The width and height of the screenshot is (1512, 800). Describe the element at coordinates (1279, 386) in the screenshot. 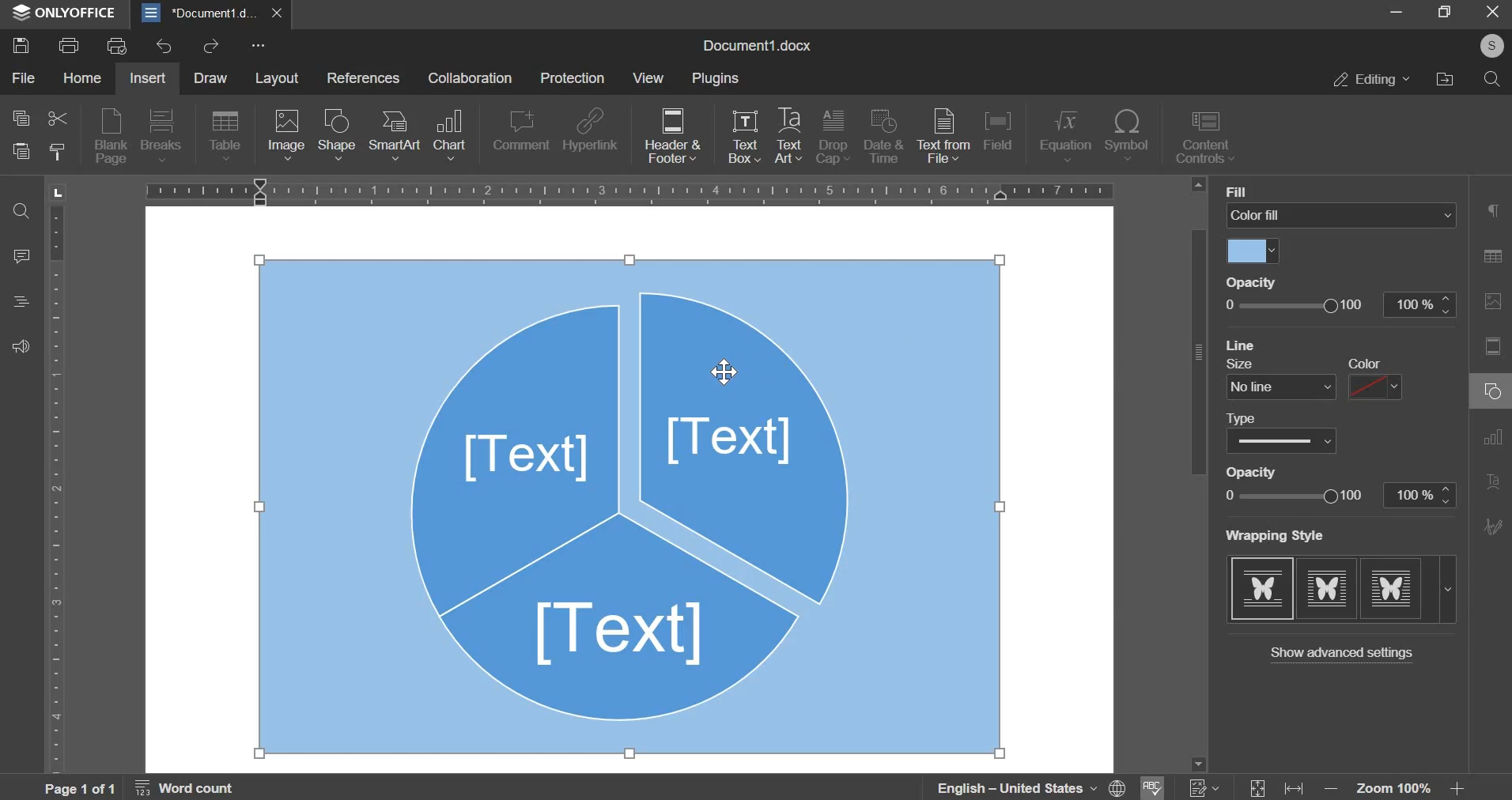

I see `line size` at that location.